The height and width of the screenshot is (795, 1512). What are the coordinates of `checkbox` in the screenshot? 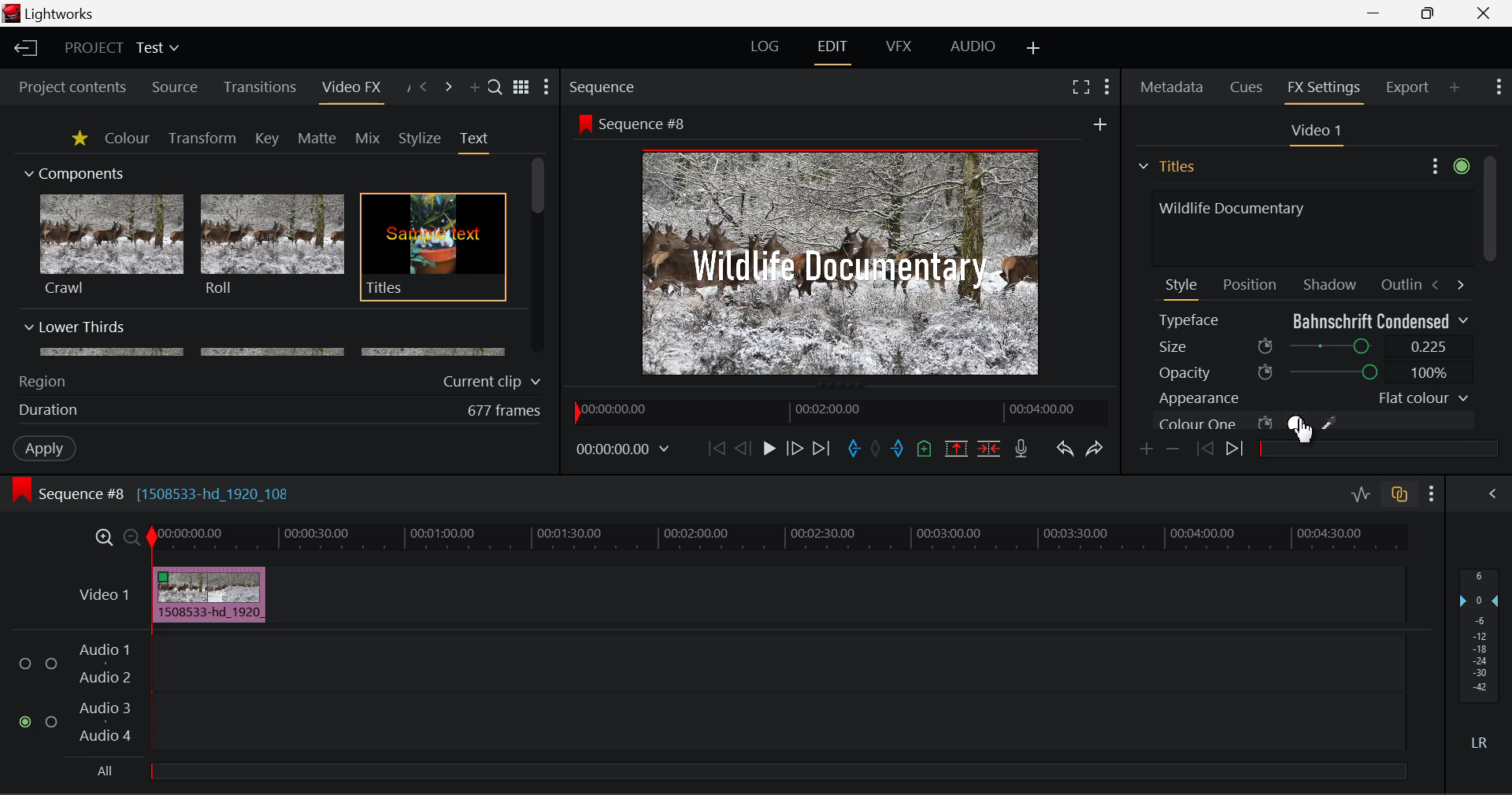 It's located at (28, 664).